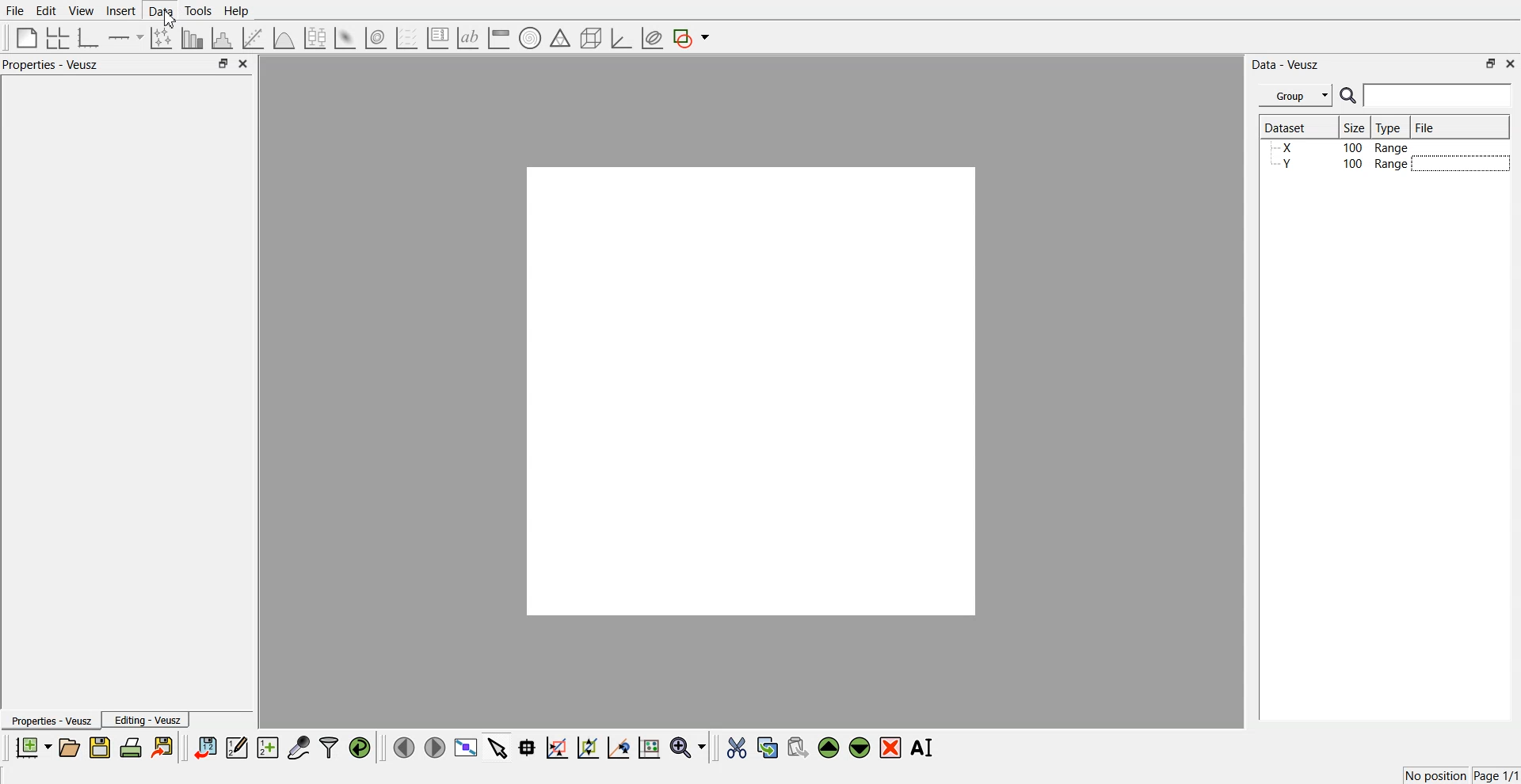 The height and width of the screenshot is (784, 1521). Describe the element at coordinates (1461, 775) in the screenshot. I see `No position Page 1/1` at that location.